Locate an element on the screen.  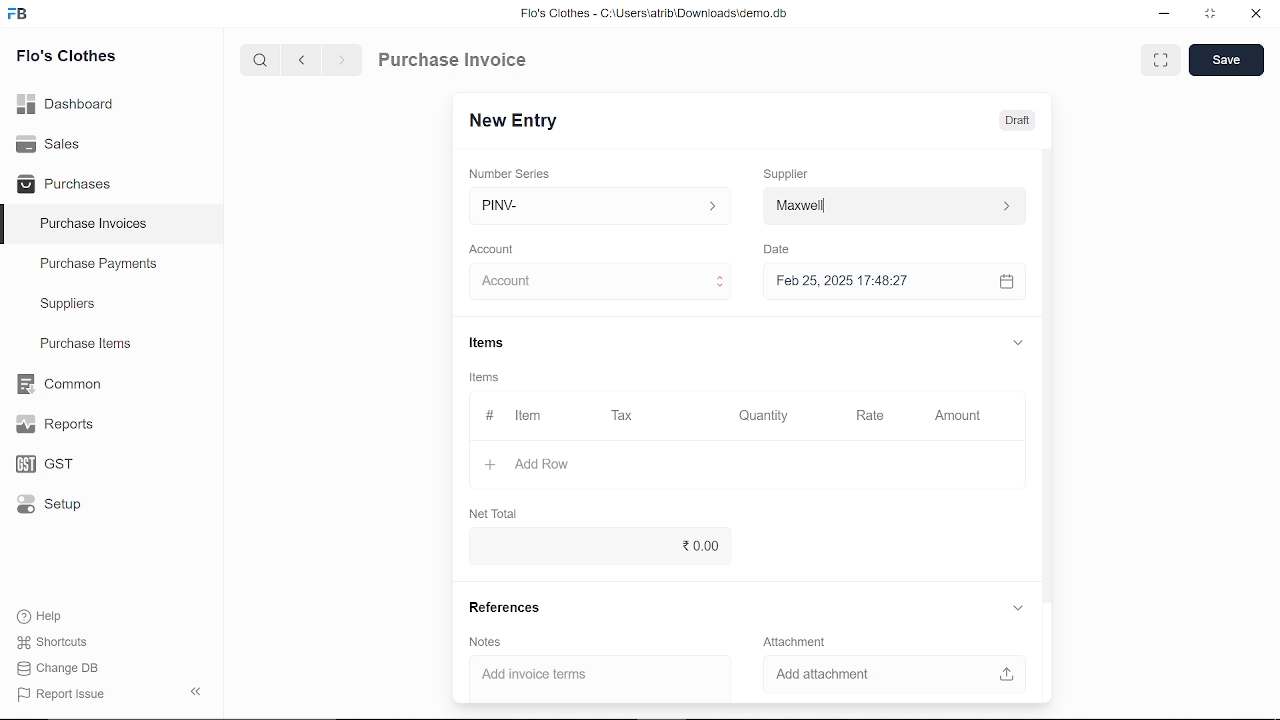
PINV- > is located at coordinates (602, 206).